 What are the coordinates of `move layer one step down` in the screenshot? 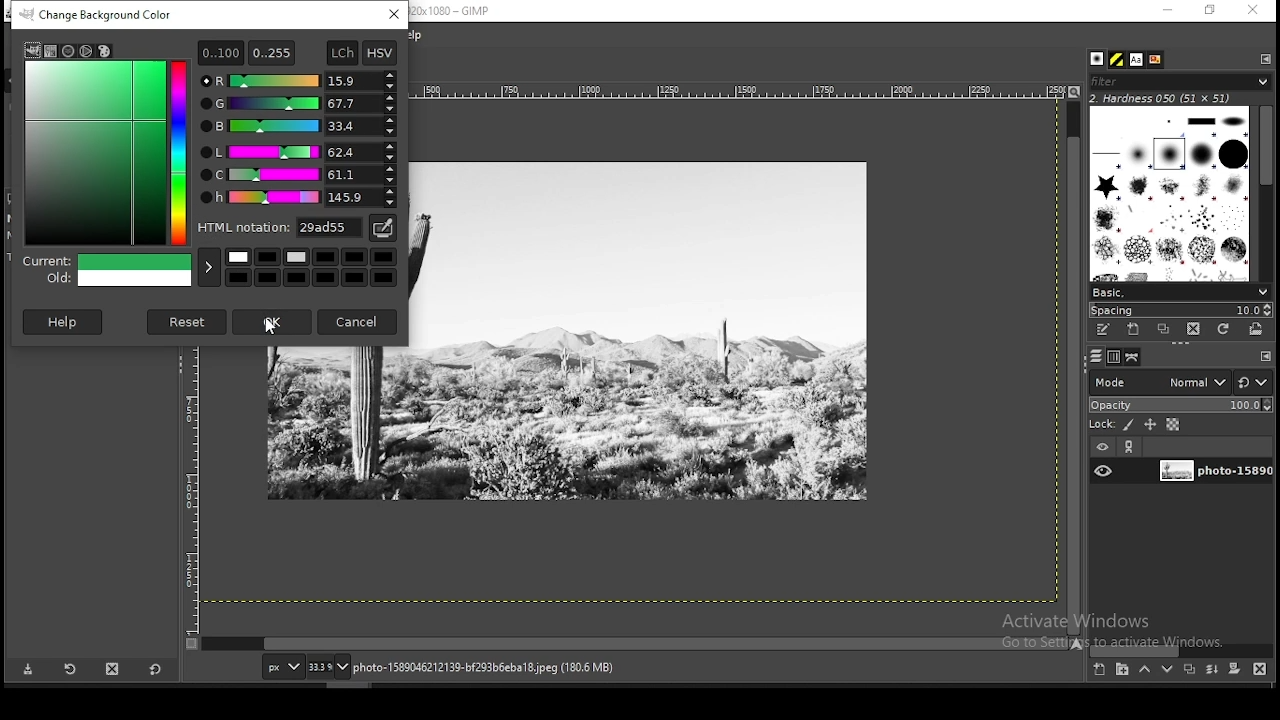 It's located at (1167, 669).